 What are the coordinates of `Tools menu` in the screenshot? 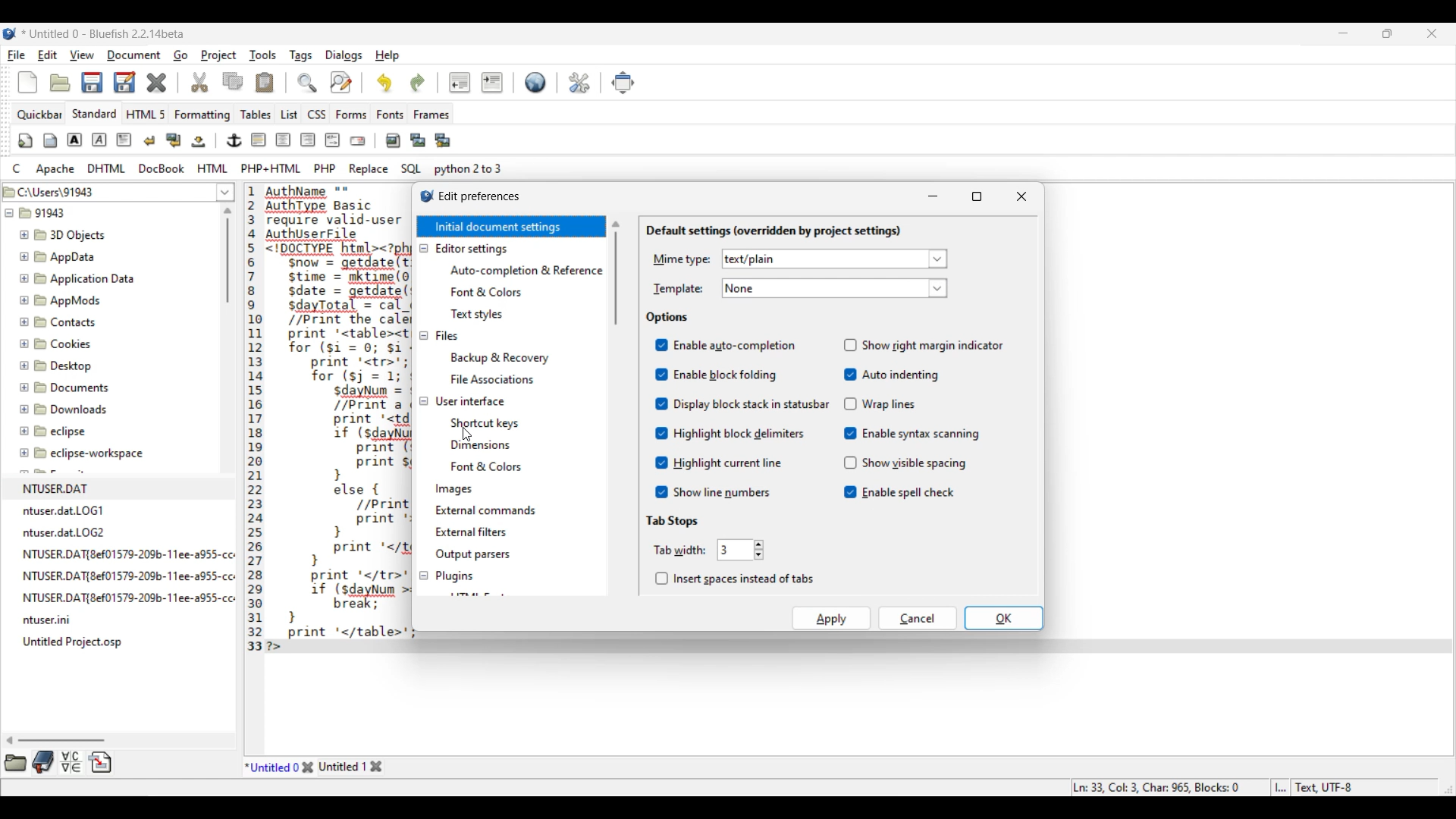 It's located at (262, 55).